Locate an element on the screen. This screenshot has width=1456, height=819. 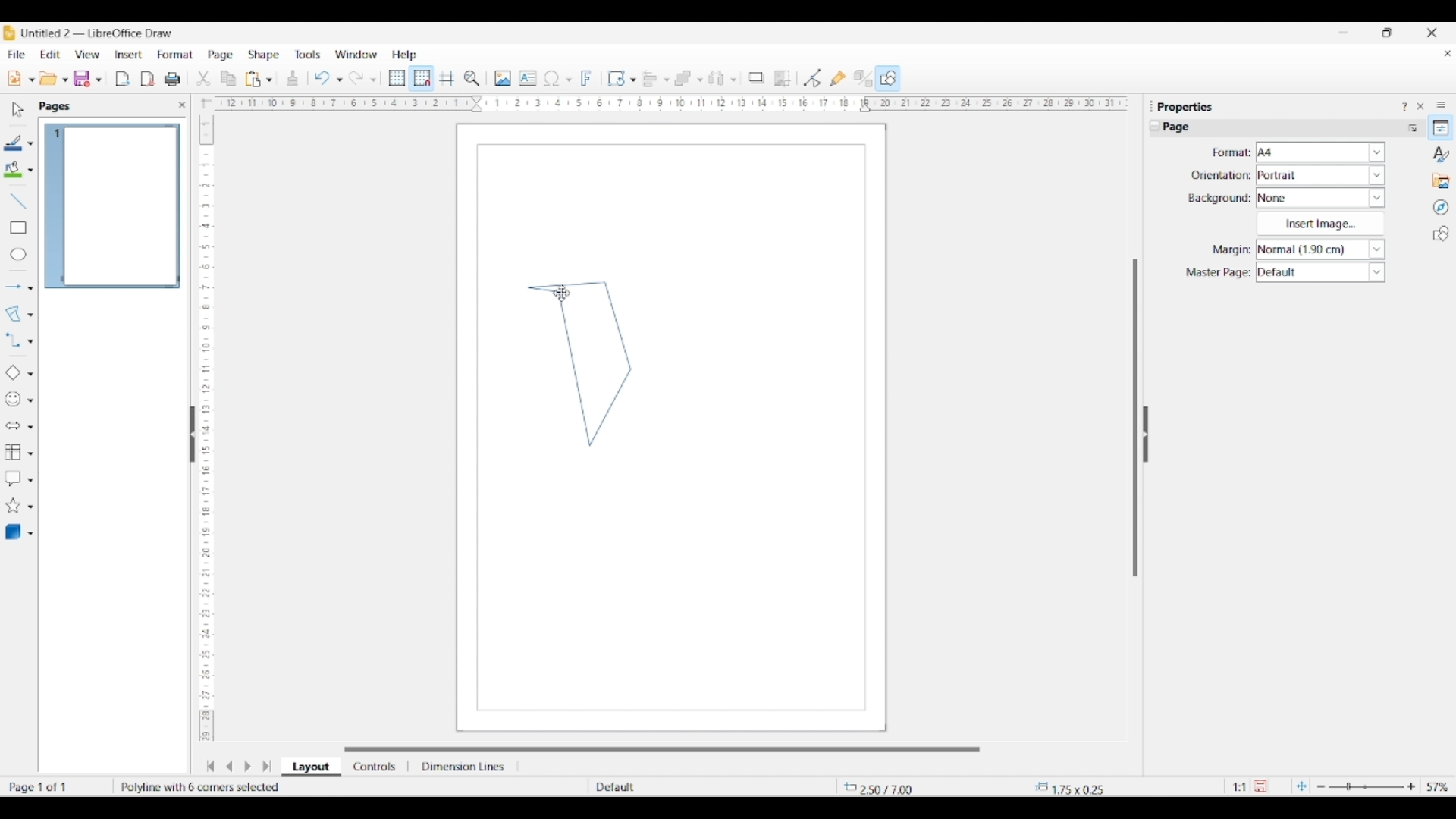
Star and banner options is located at coordinates (30, 507).